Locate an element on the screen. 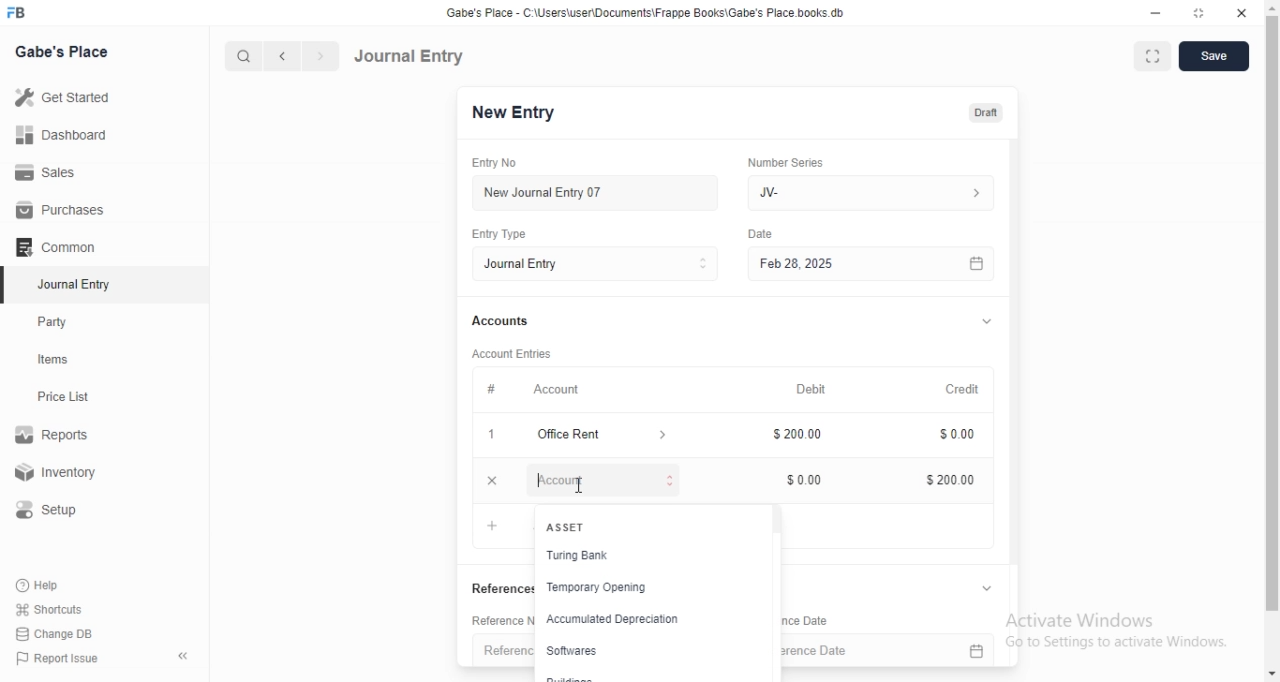  close is located at coordinates (1243, 10).